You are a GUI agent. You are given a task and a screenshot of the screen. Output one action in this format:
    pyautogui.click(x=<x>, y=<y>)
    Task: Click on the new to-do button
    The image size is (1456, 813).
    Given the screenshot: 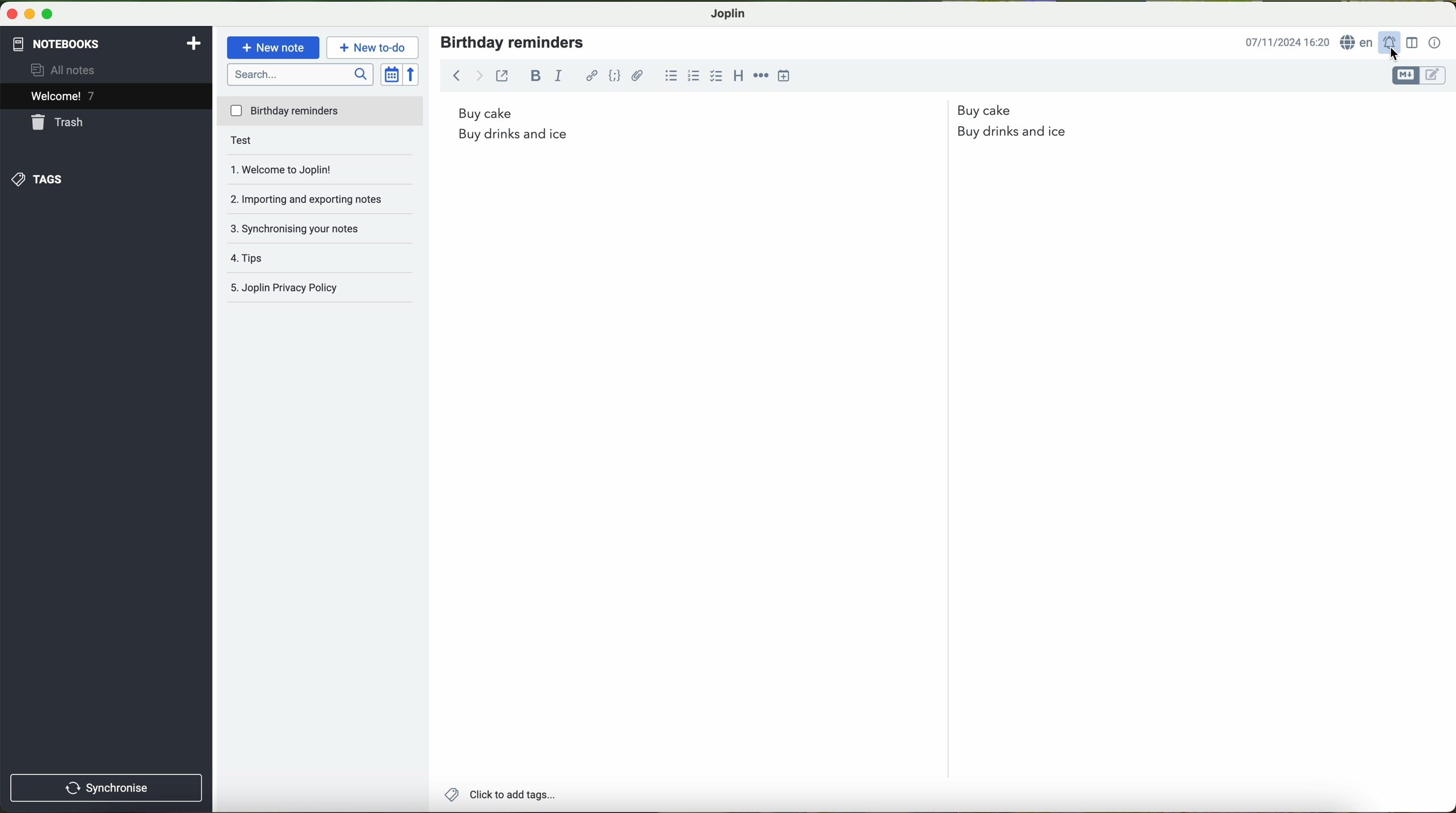 What is the action you would take?
    pyautogui.click(x=373, y=49)
    